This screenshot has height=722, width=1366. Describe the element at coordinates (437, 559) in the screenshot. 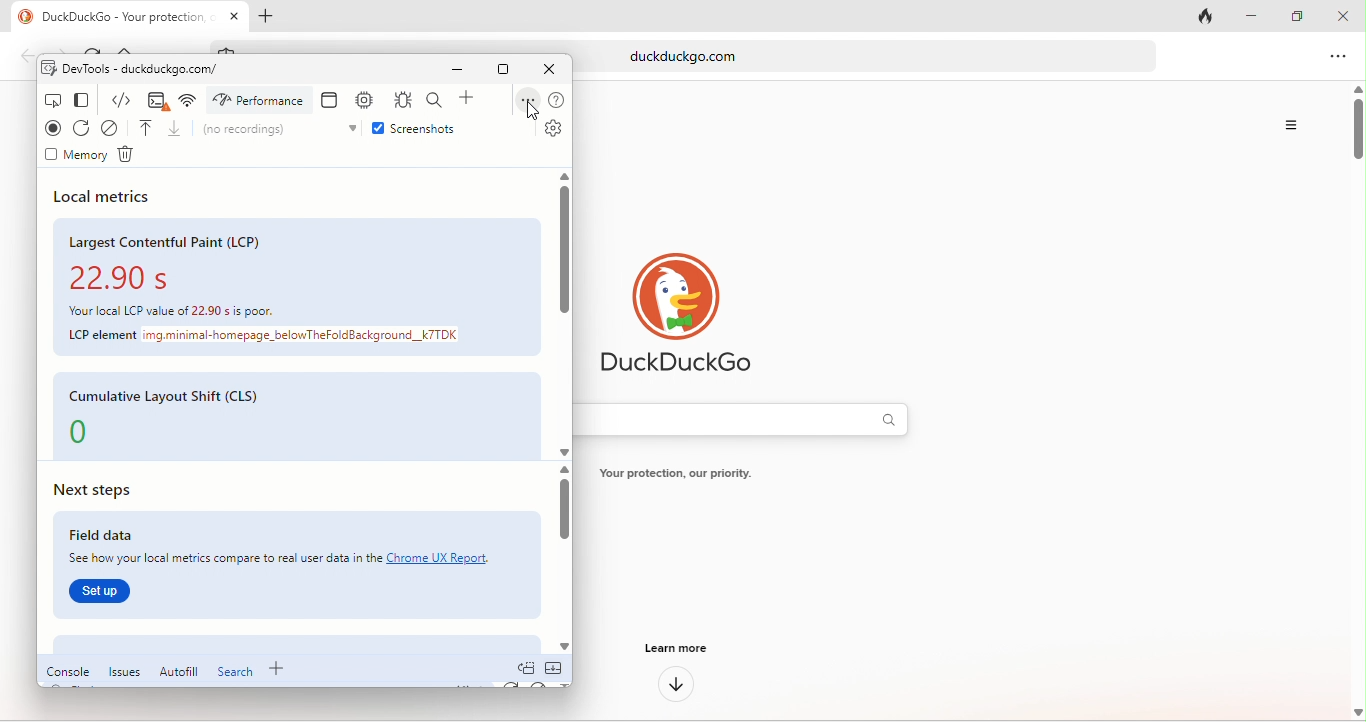

I see `Chrome UX report` at that location.